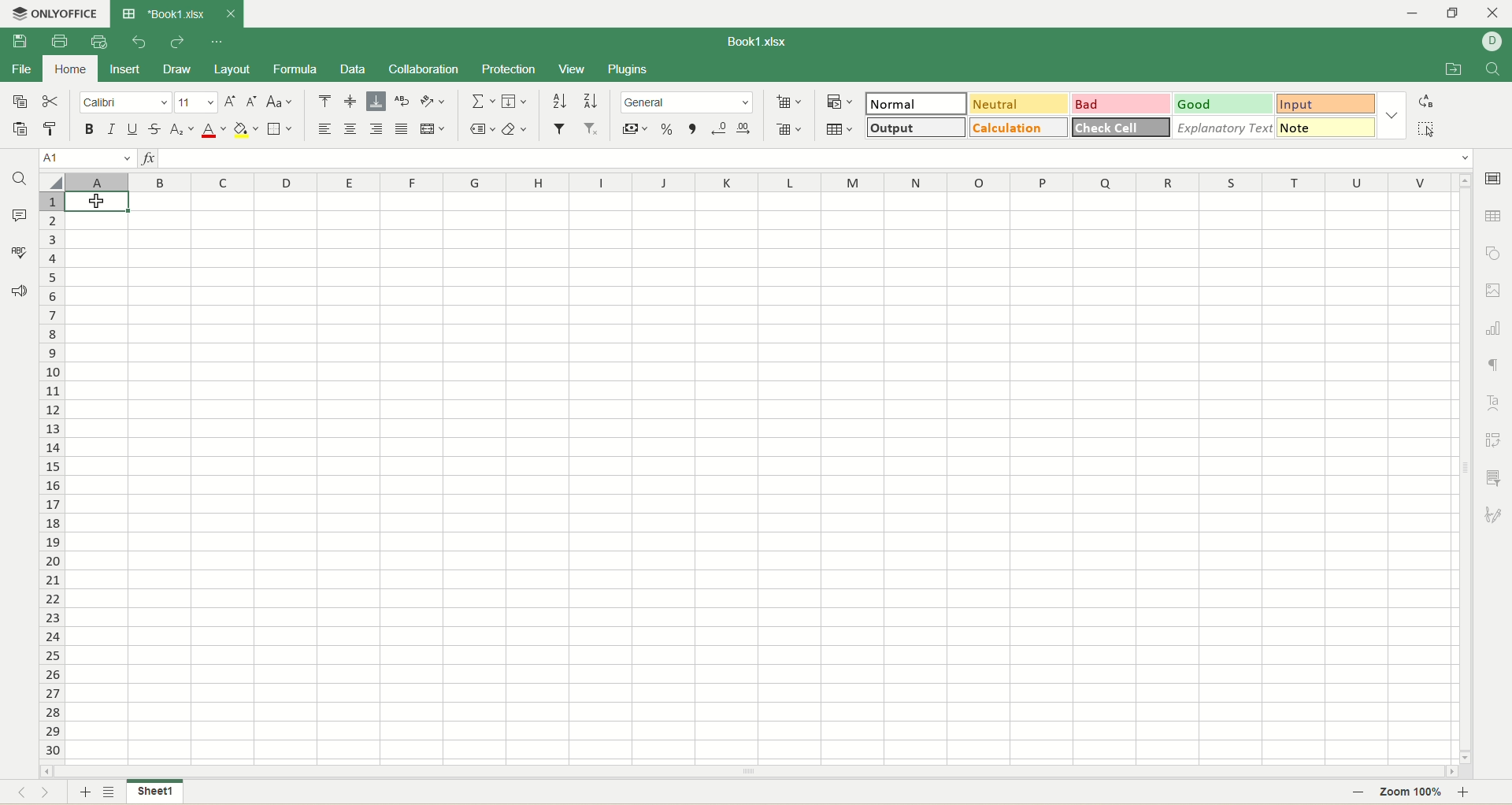 This screenshot has height=805, width=1512. What do you see at coordinates (1390, 114) in the screenshot?
I see `style options` at bounding box center [1390, 114].